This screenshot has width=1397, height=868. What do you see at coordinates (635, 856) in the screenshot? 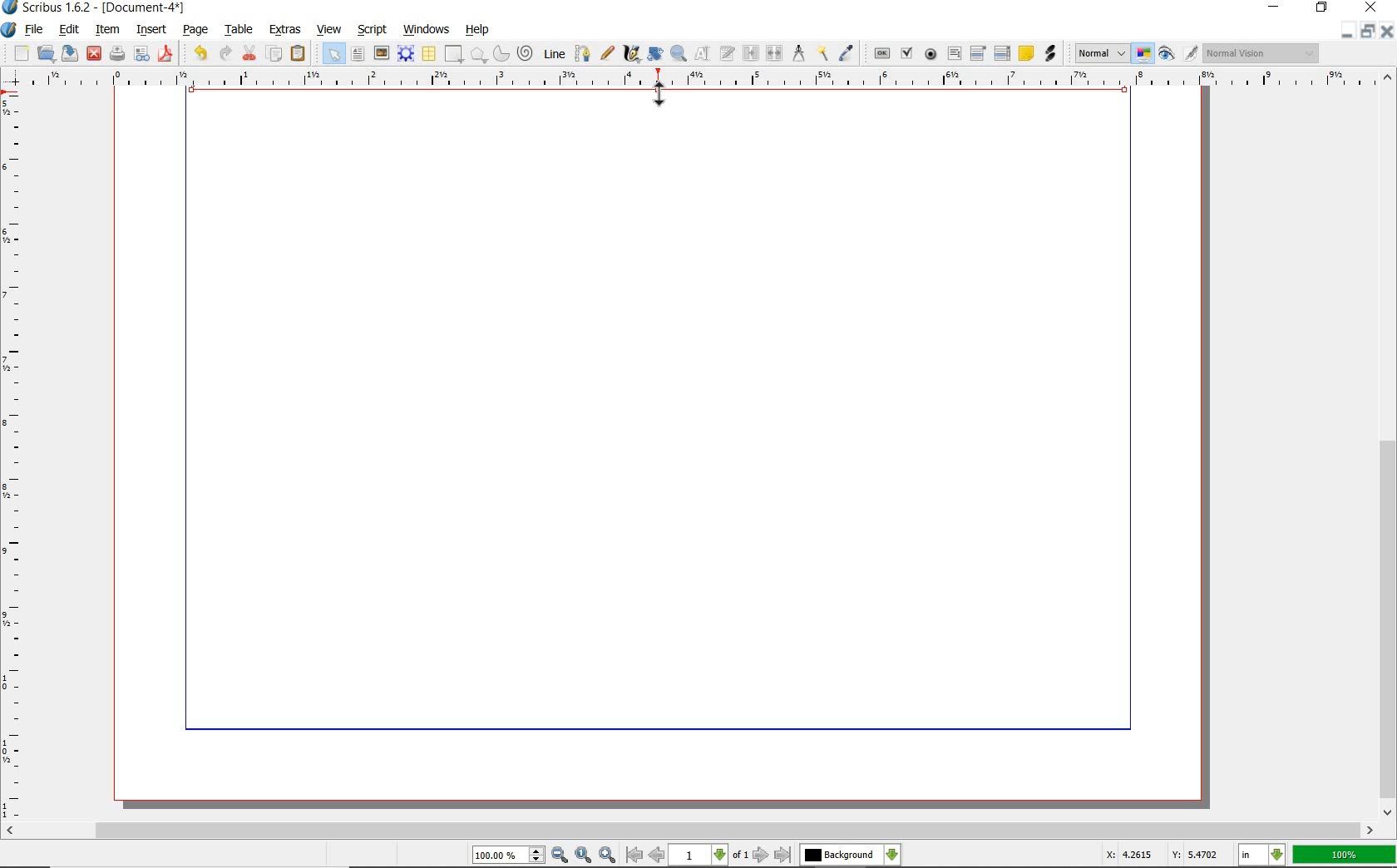
I see `go to first page` at bounding box center [635, 856].